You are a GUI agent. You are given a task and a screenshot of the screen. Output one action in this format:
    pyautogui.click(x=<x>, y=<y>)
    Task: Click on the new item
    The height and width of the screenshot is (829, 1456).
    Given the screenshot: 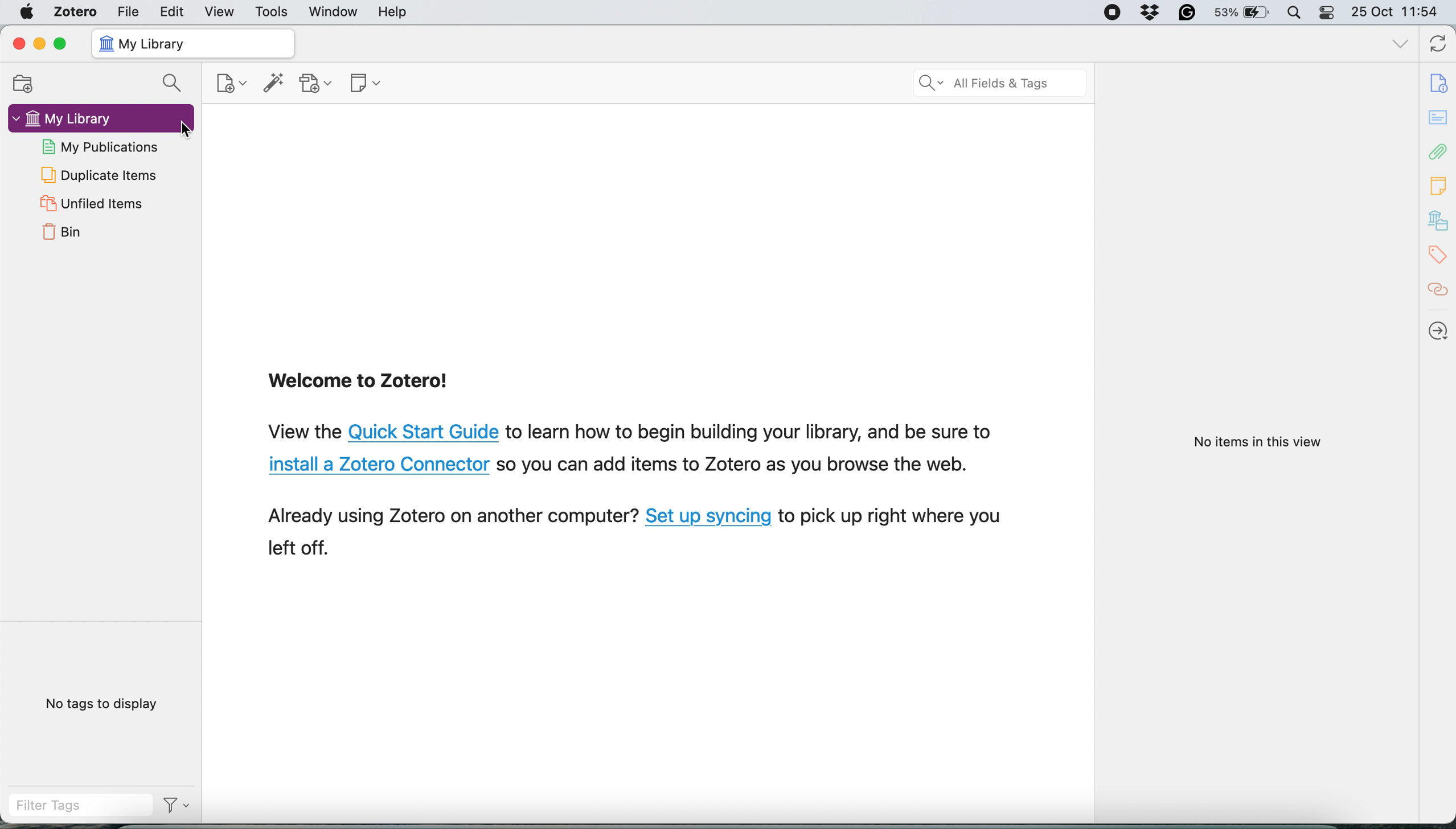 What is the action you would take?
    pyautogui.click(x=229, y=82)
    